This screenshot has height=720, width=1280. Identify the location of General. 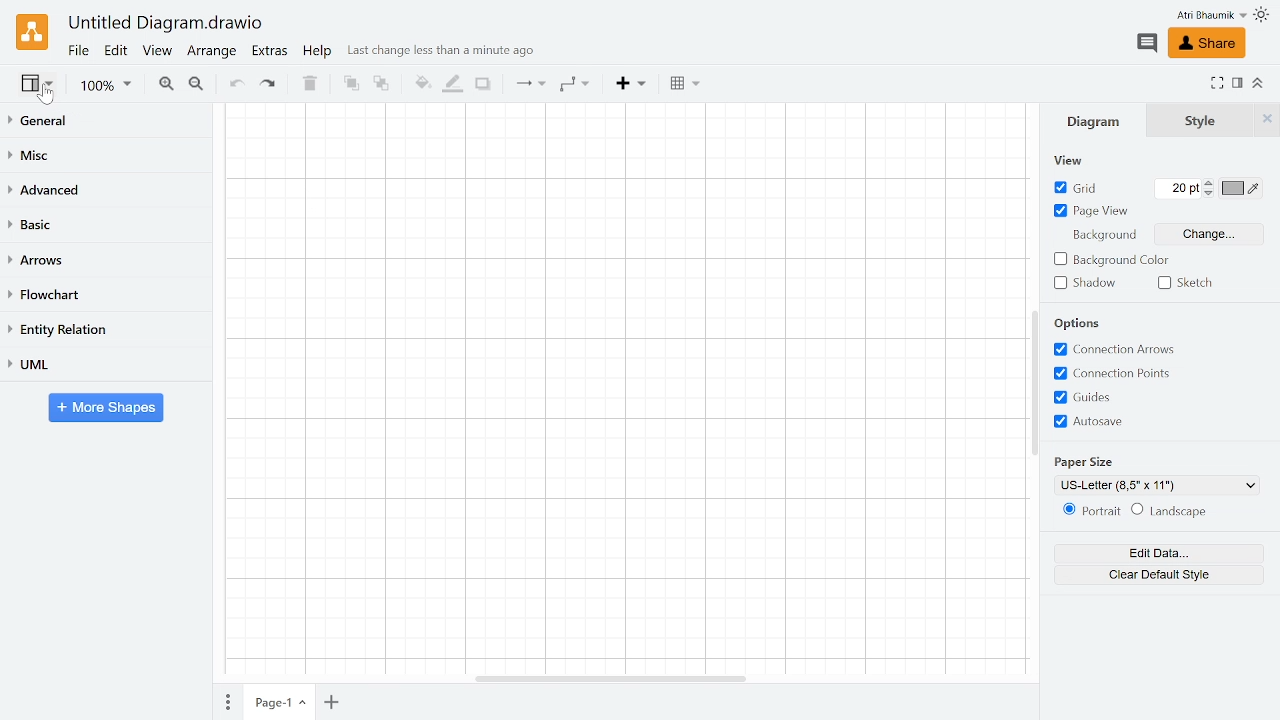
(102, 120).